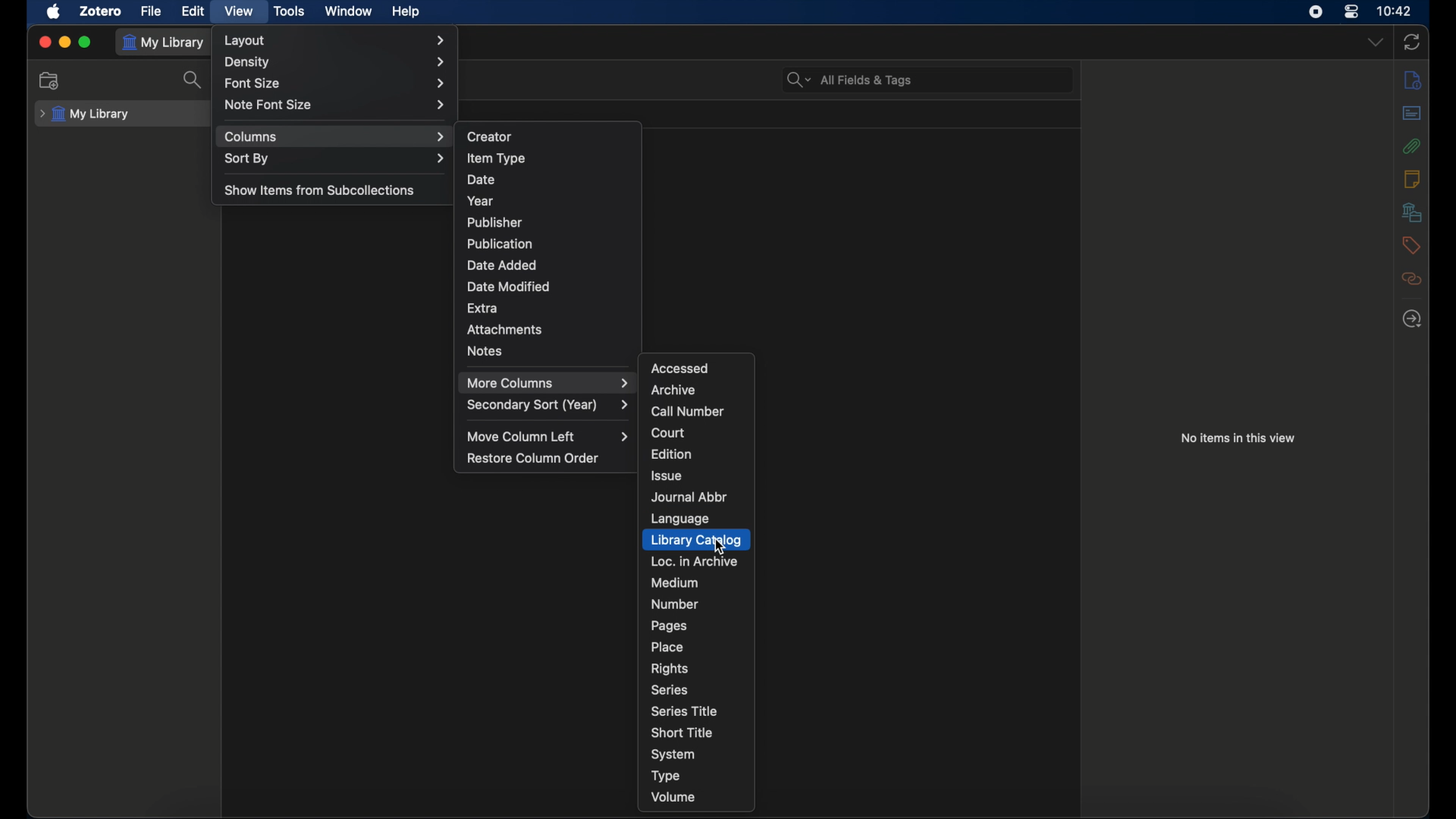 This screenshot has height=819, width=1456. What do you see at coordinates (337, 159) in the screenshot?
I see `sort by` at bounding box center [337, 159].